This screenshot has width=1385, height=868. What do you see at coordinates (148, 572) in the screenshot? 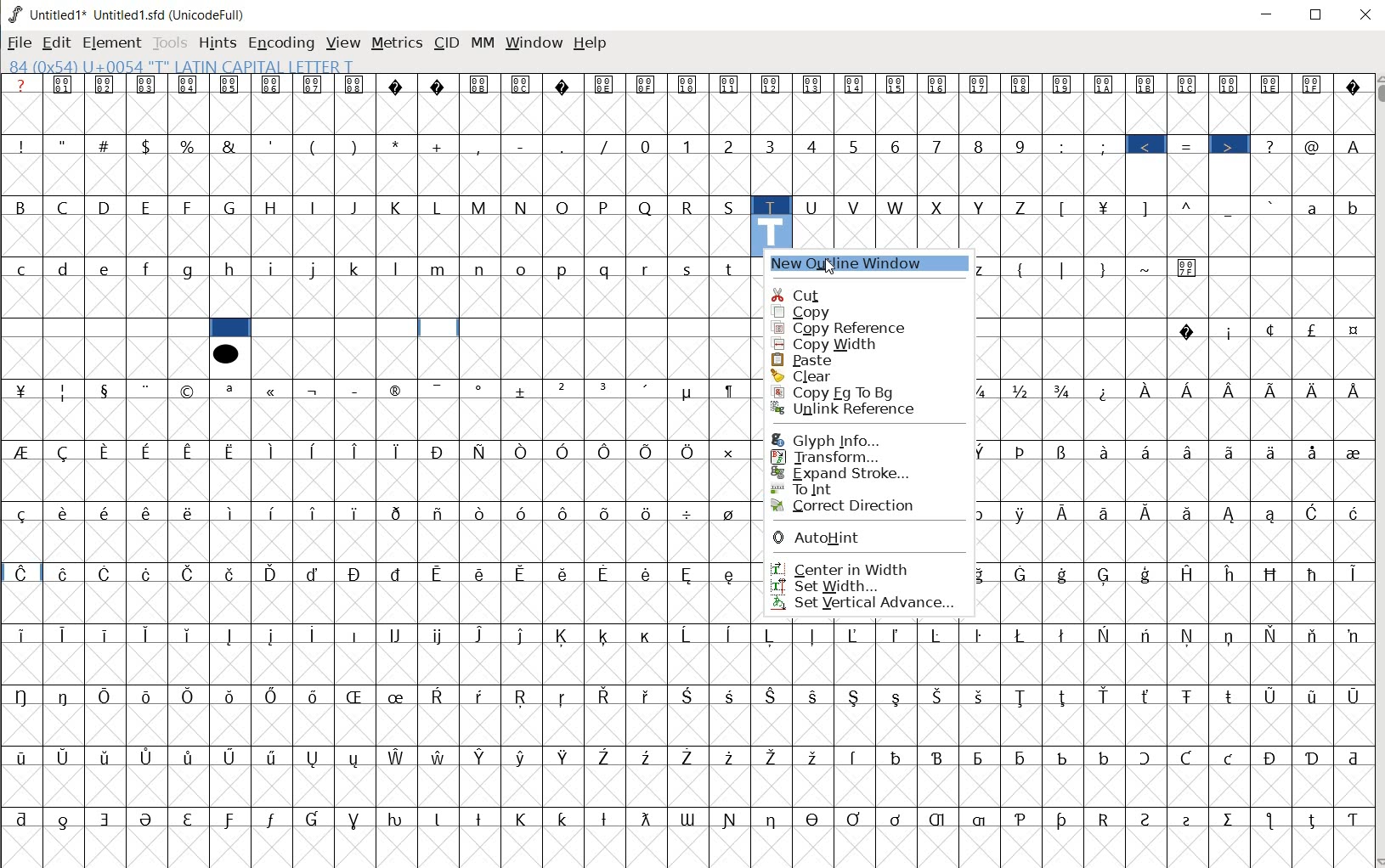
I see `Symbol` at bounding box center [148, 572].